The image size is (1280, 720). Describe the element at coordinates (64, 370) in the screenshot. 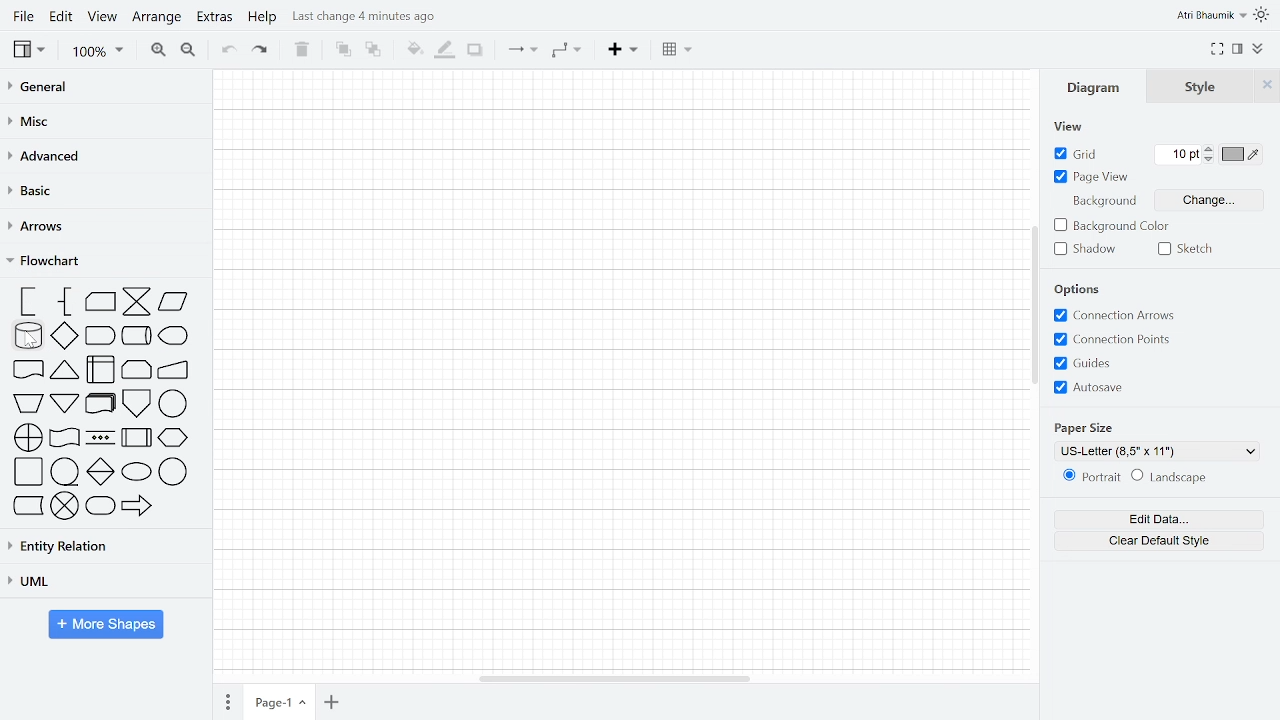

I see `extract or measurement` at that location.